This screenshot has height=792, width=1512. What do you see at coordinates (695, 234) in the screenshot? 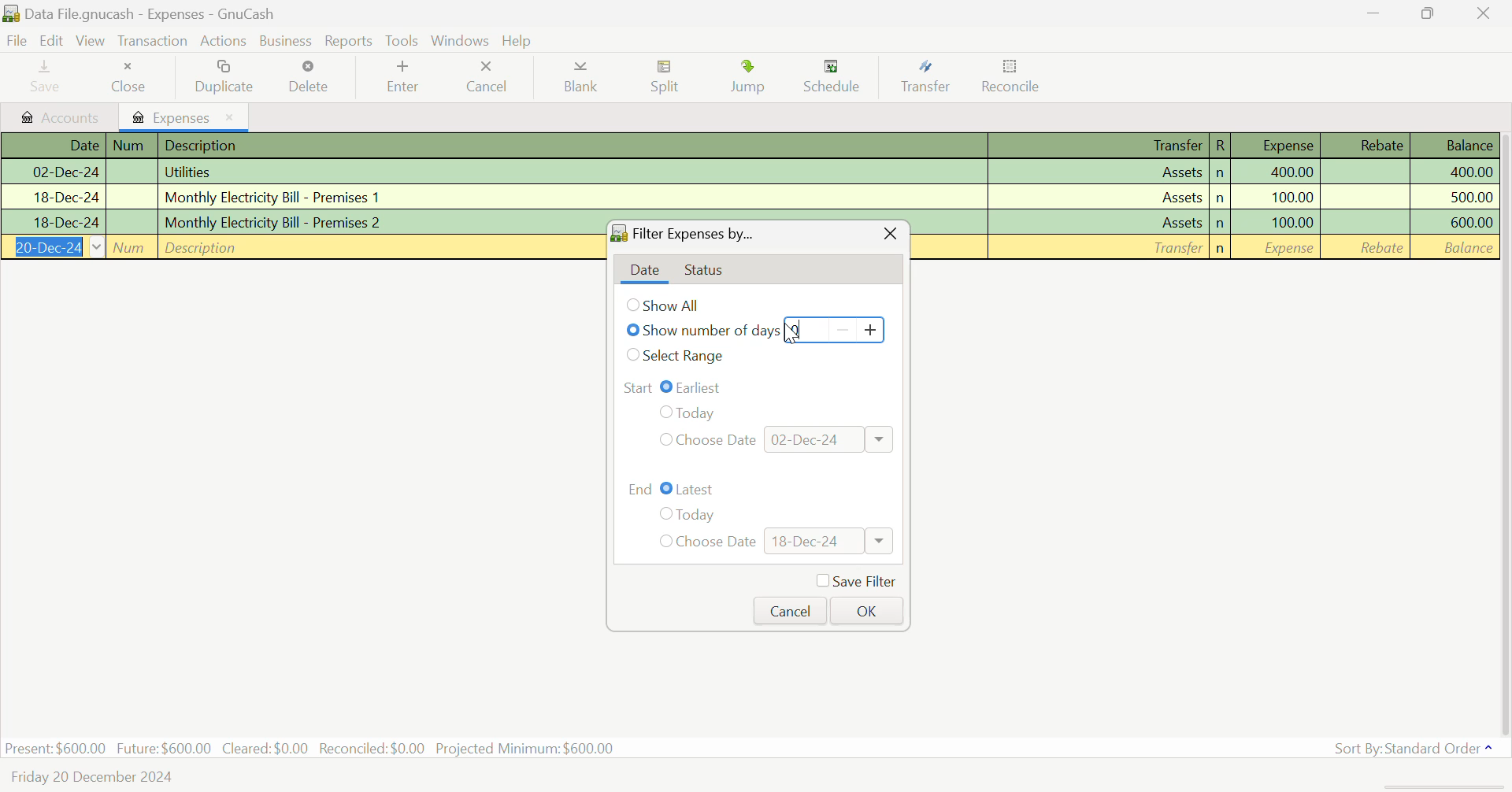
I see `Filter Expenses by...` at bounding box center [695, 234].